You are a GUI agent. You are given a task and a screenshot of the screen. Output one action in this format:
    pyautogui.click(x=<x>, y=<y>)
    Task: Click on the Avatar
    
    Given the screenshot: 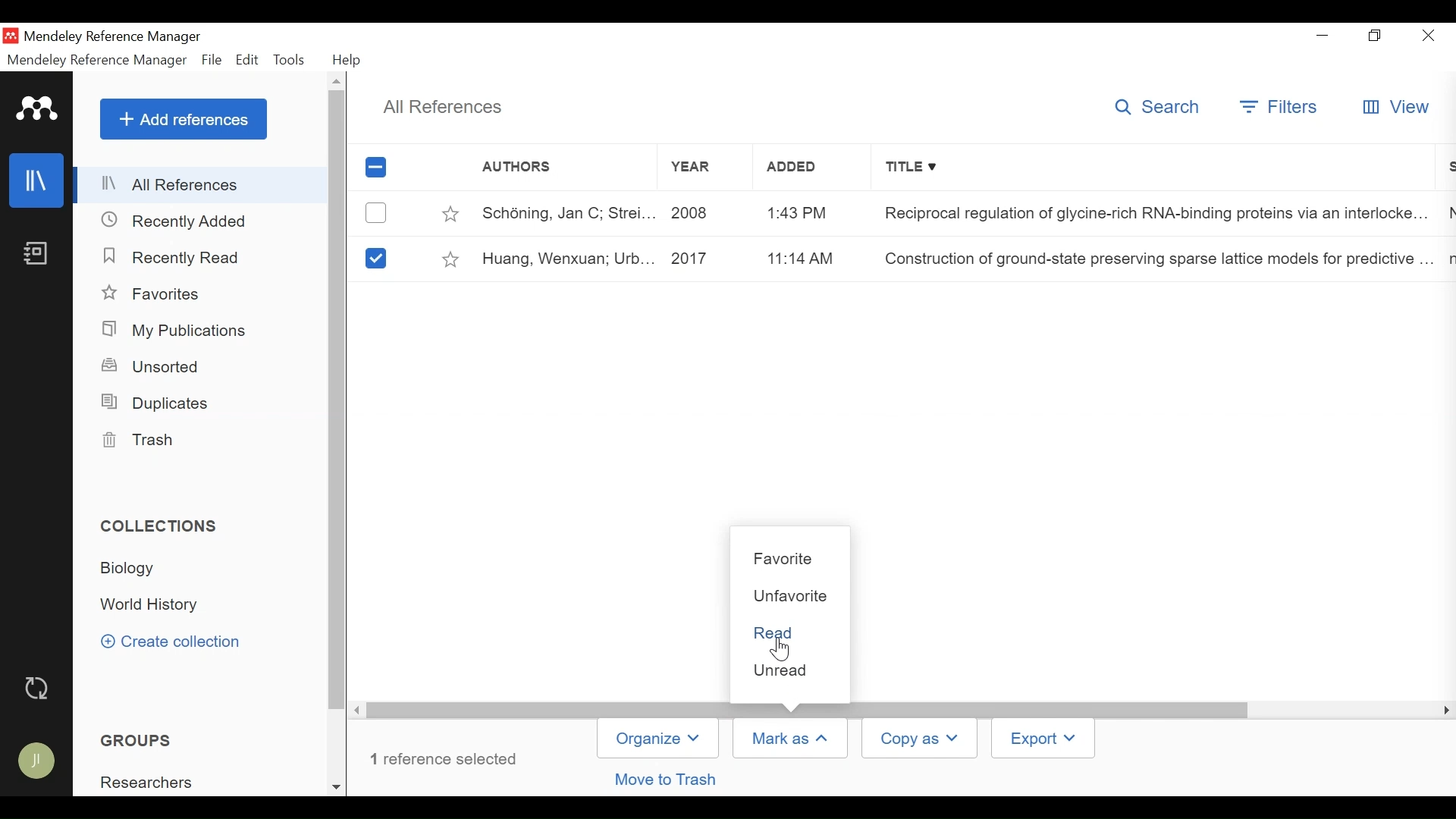 What is the action you would take?
    pyautogui.click(x=37, y=762)
    